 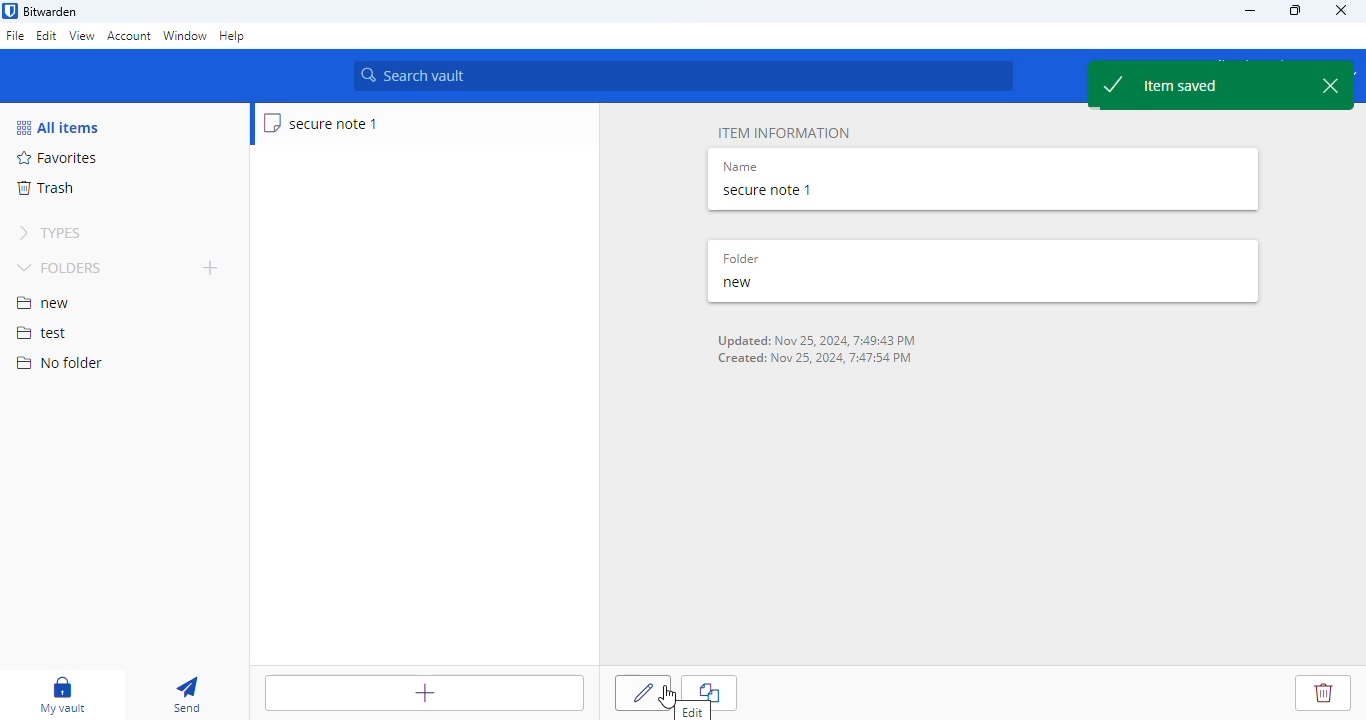 I want to click on item information, so click(x=784, y=133).